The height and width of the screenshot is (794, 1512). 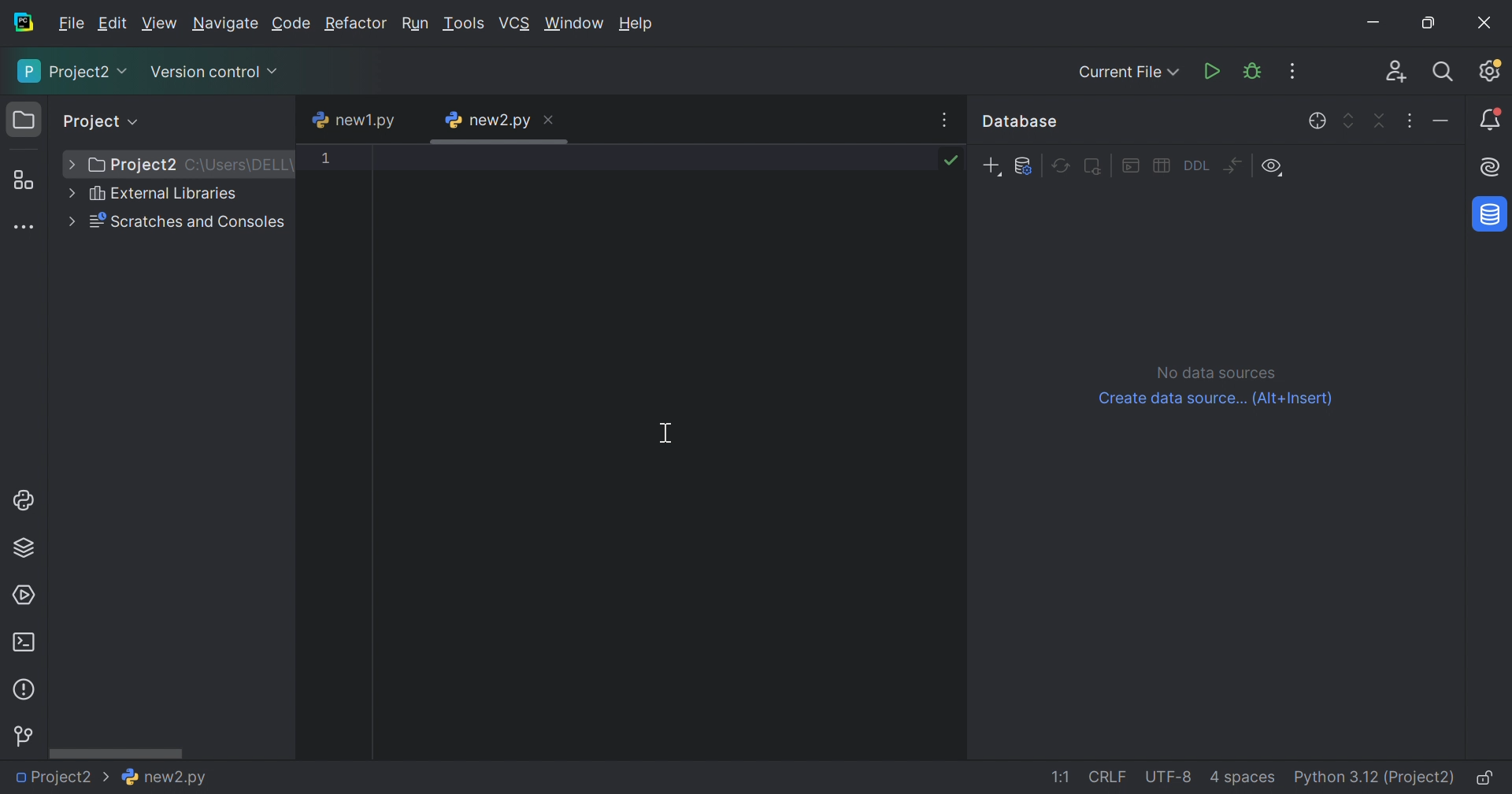 I want to click on Got to DDL, so click(x=1196, y=165).